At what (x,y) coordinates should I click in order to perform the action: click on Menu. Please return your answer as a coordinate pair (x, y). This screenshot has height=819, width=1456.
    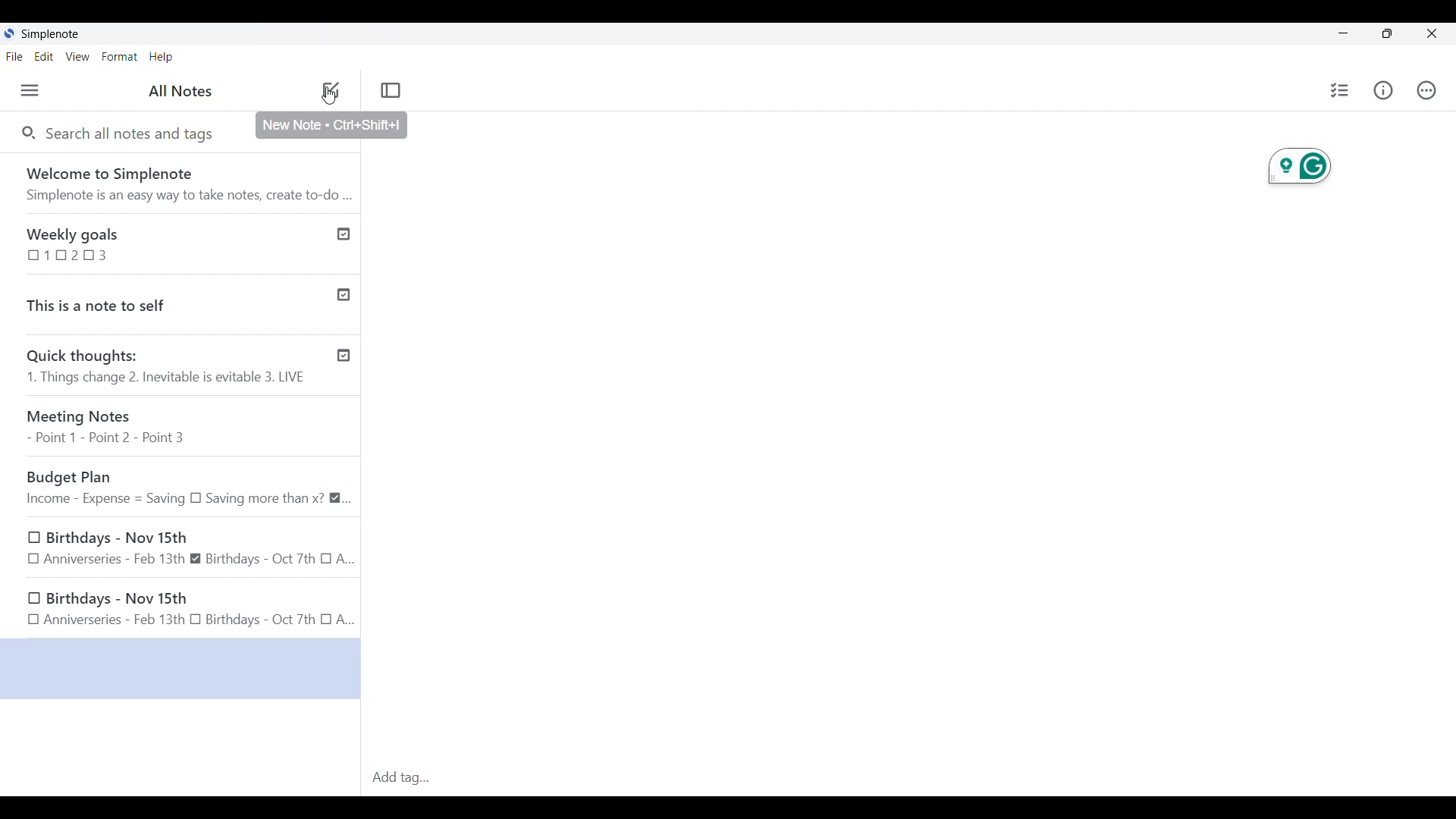
    Looking at the image, I should click on (30, 90).